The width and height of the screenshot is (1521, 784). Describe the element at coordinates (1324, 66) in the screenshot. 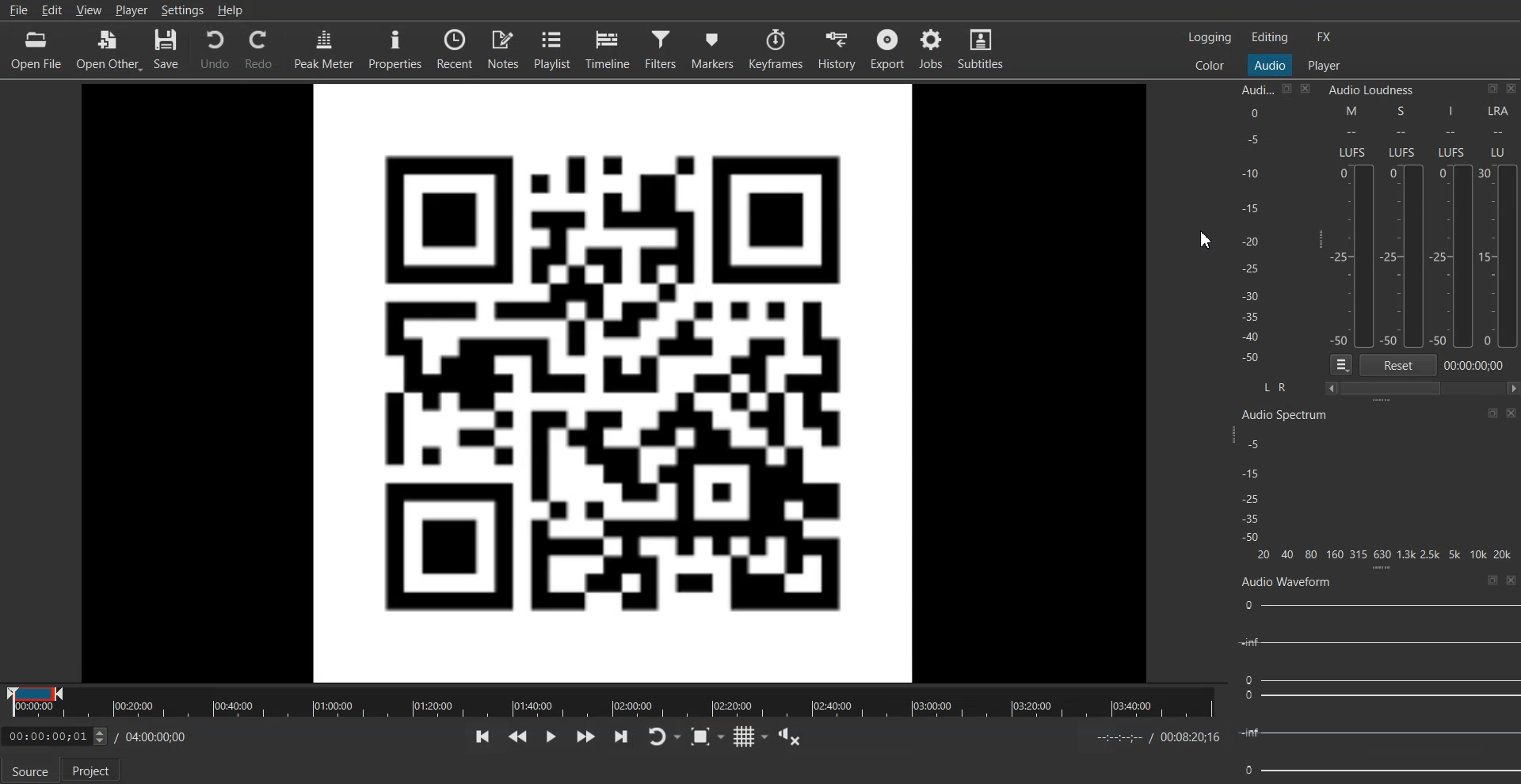

I see `Switch to the Player one layout` at that location.